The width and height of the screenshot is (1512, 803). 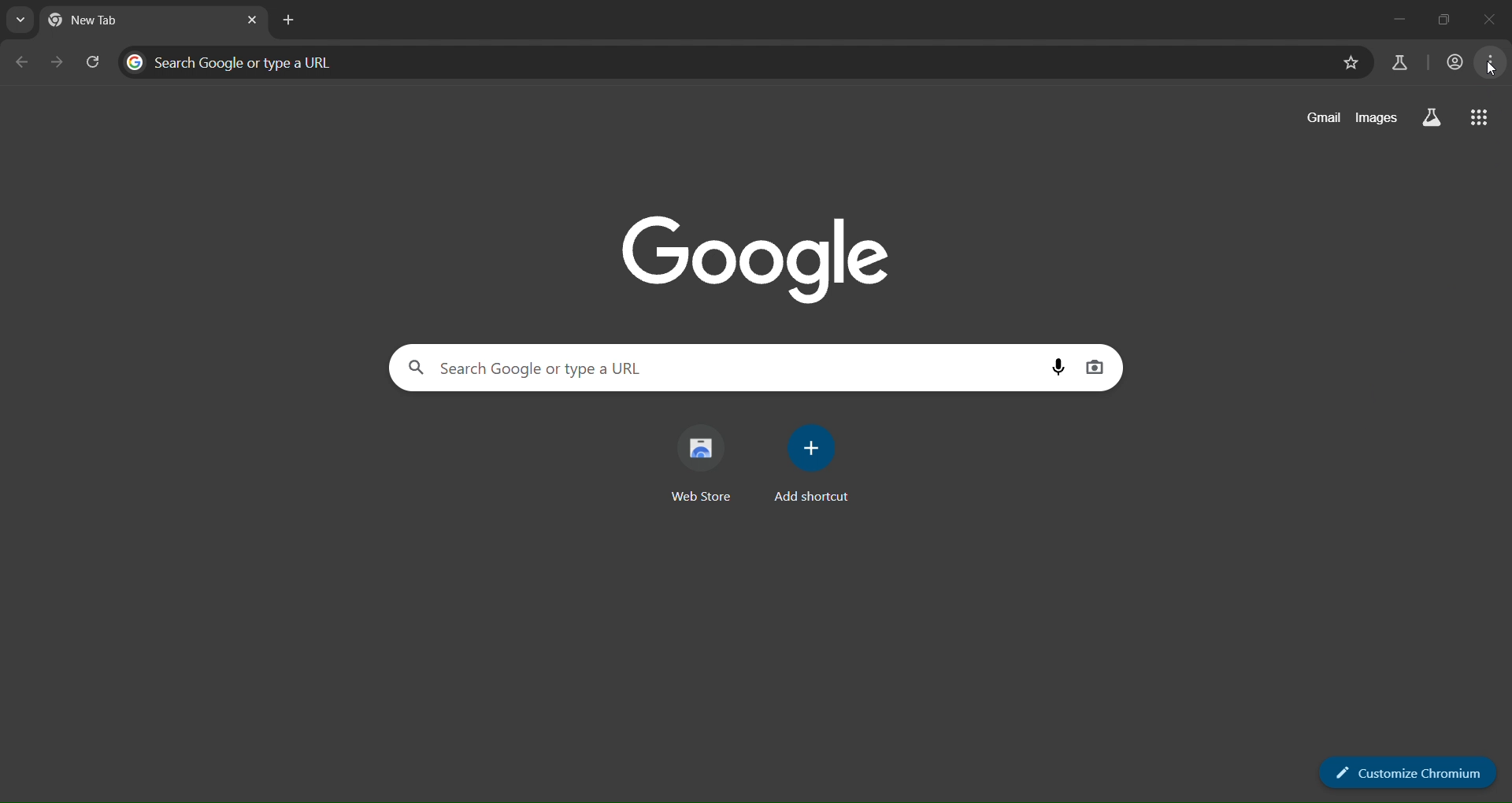 I want to click on close, so click(x=1497, y=18).